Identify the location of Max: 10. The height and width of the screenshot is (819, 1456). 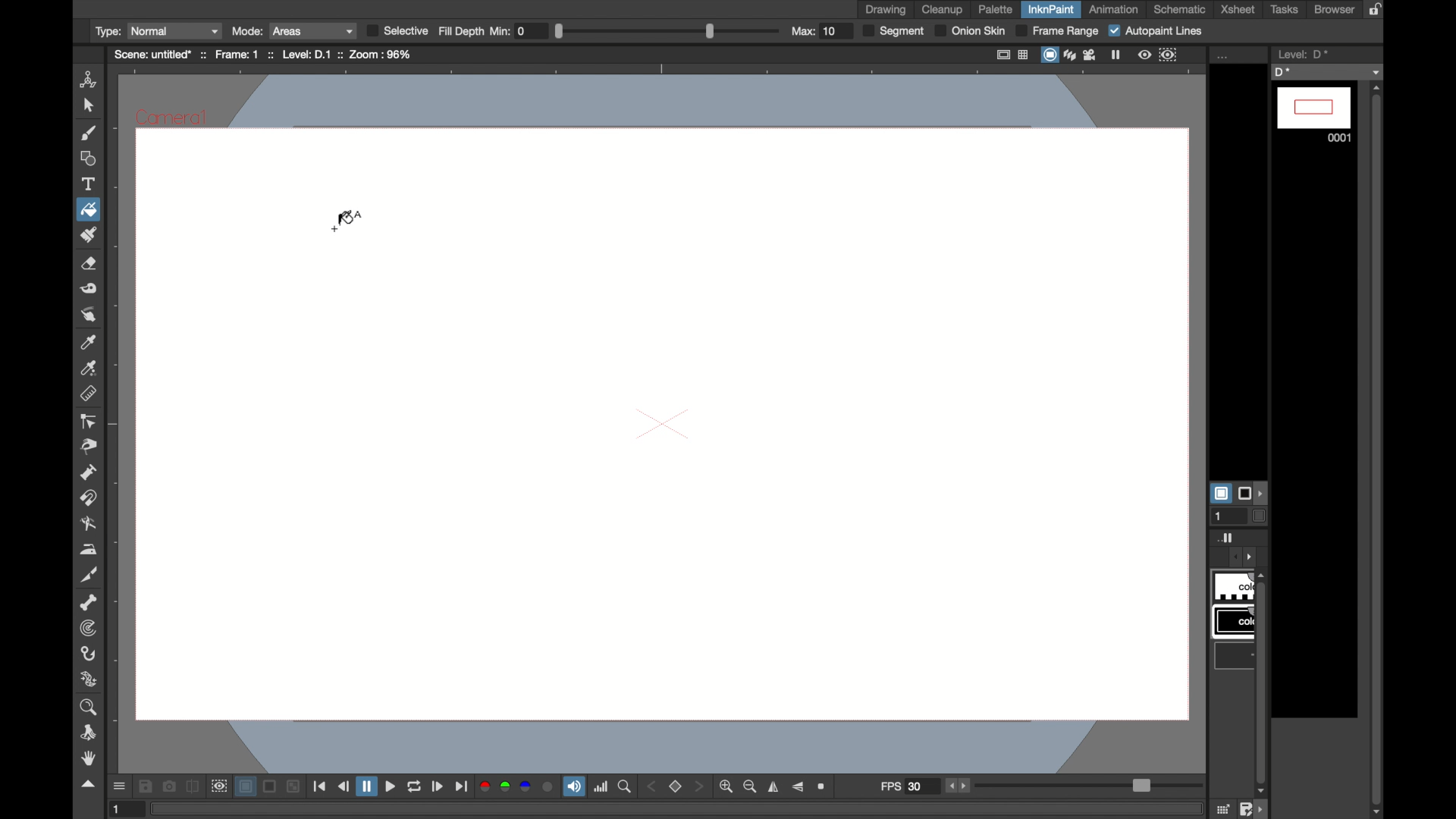
(821, 31).